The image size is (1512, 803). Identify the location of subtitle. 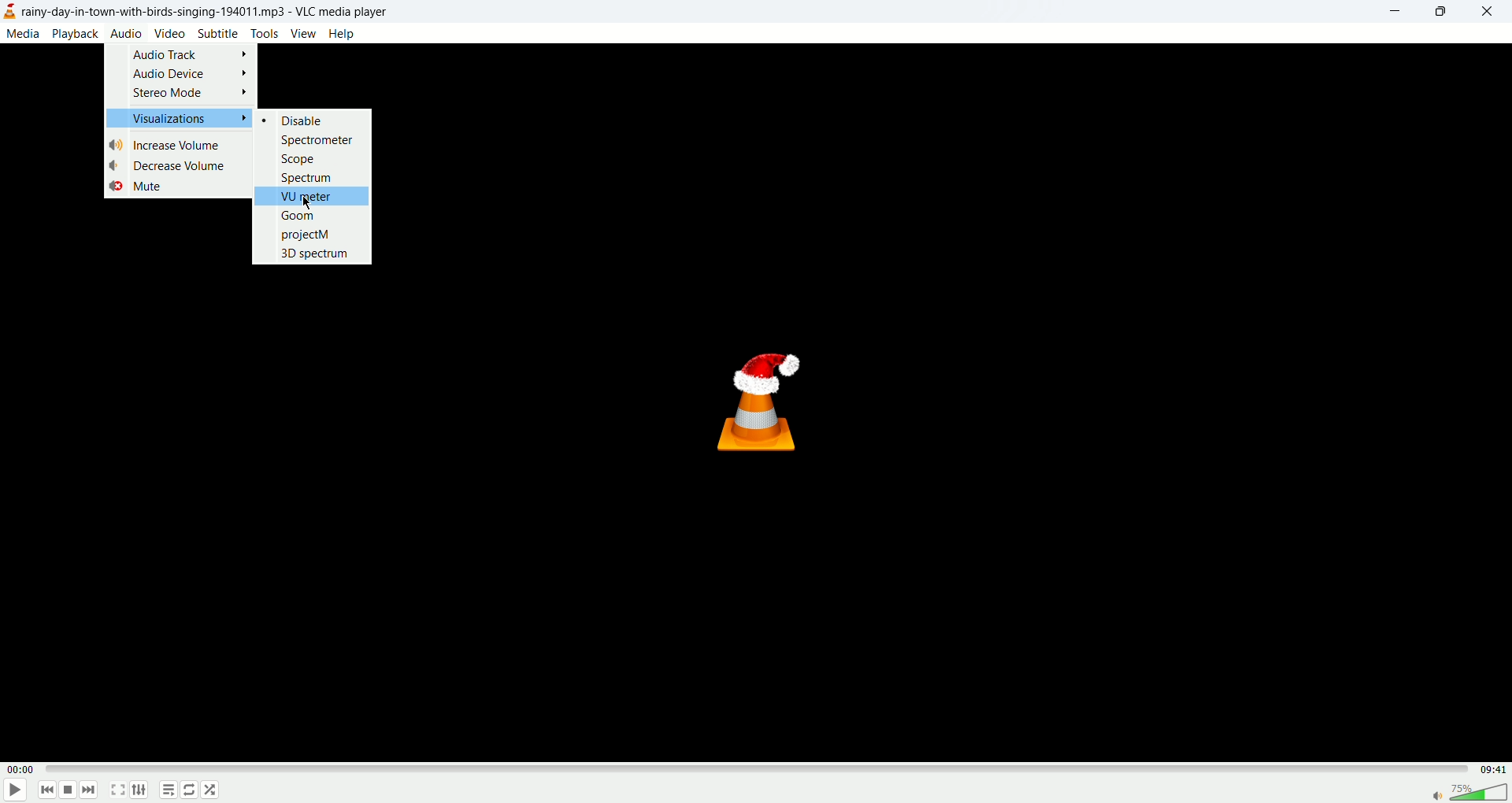
(218, 35).